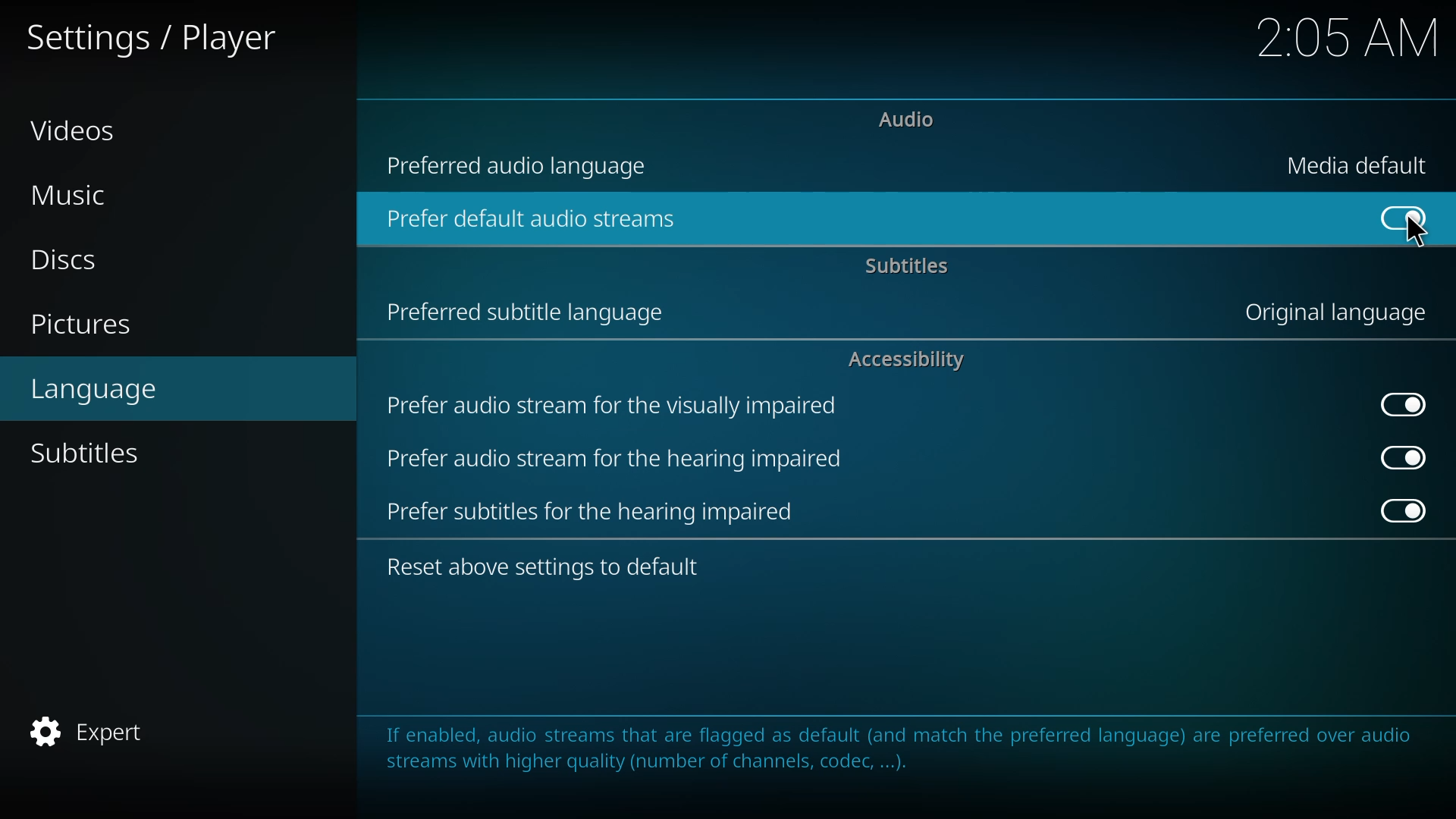  I want to click on disabled, so click(1404, 403).